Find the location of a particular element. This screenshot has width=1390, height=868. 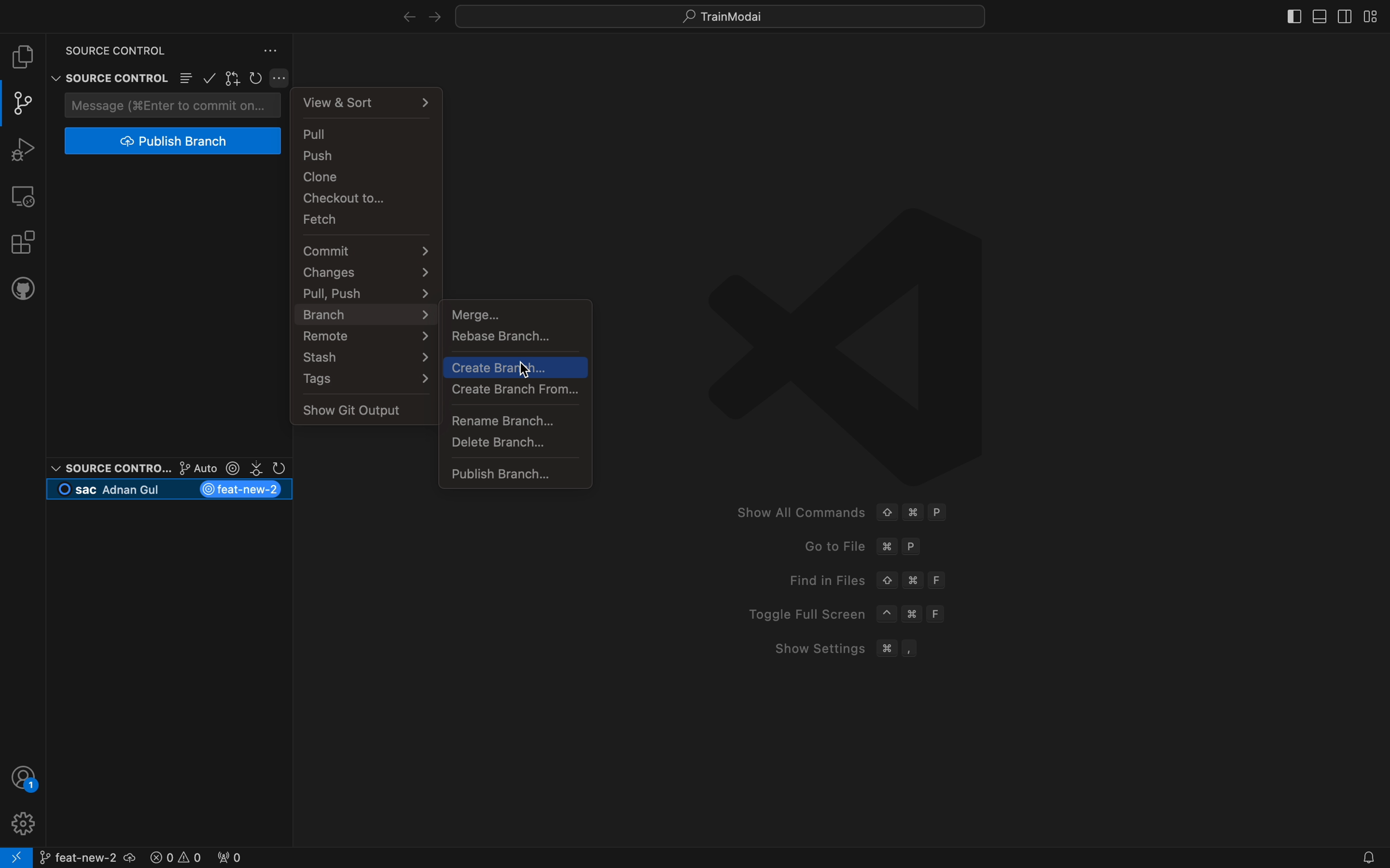

debugger is located at coordinates (22, 148).